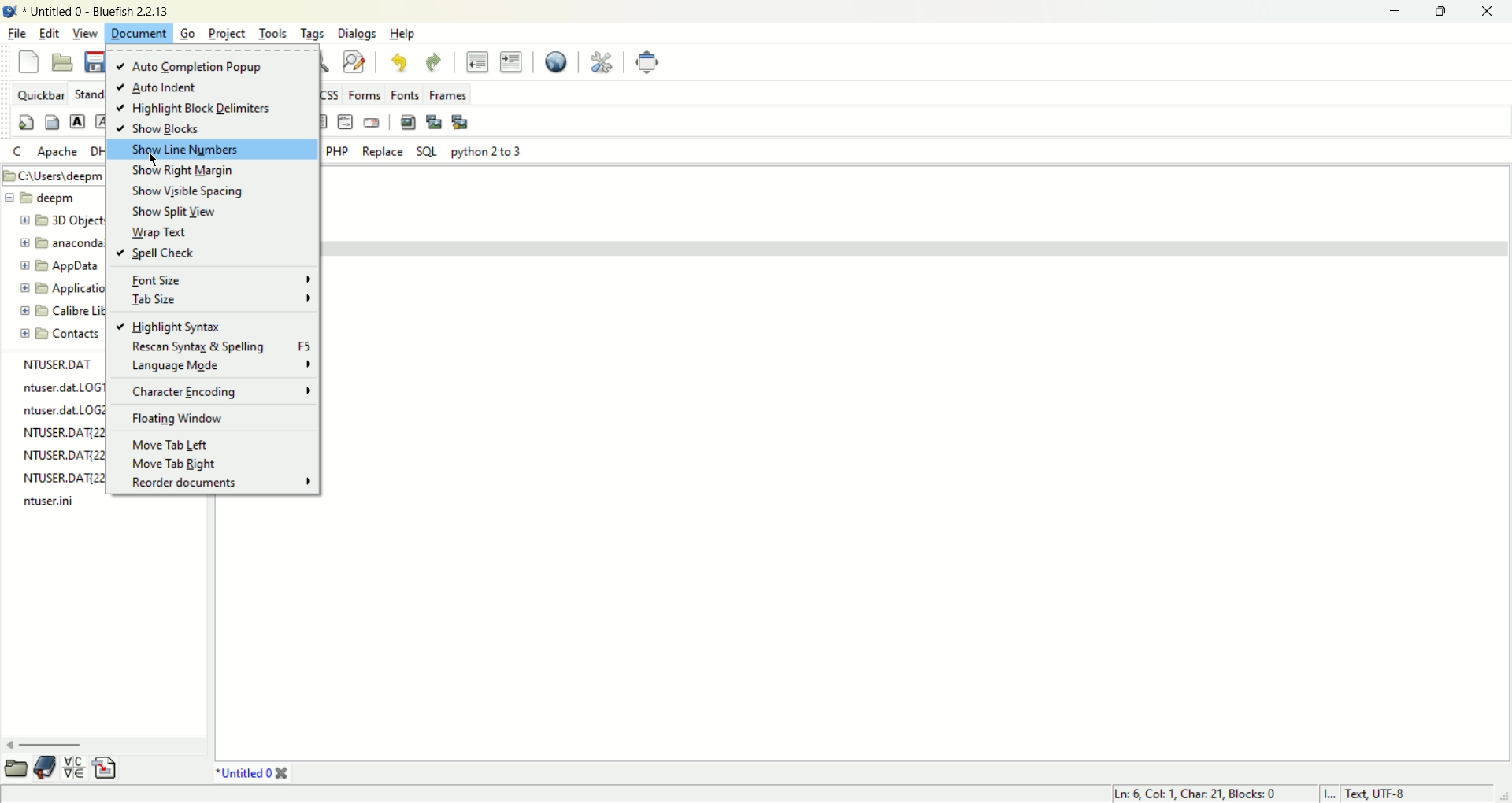 The width and height of the screenshot is (1512, 803). I want to click on NTUSER.DAT{22, so click(61, 476).